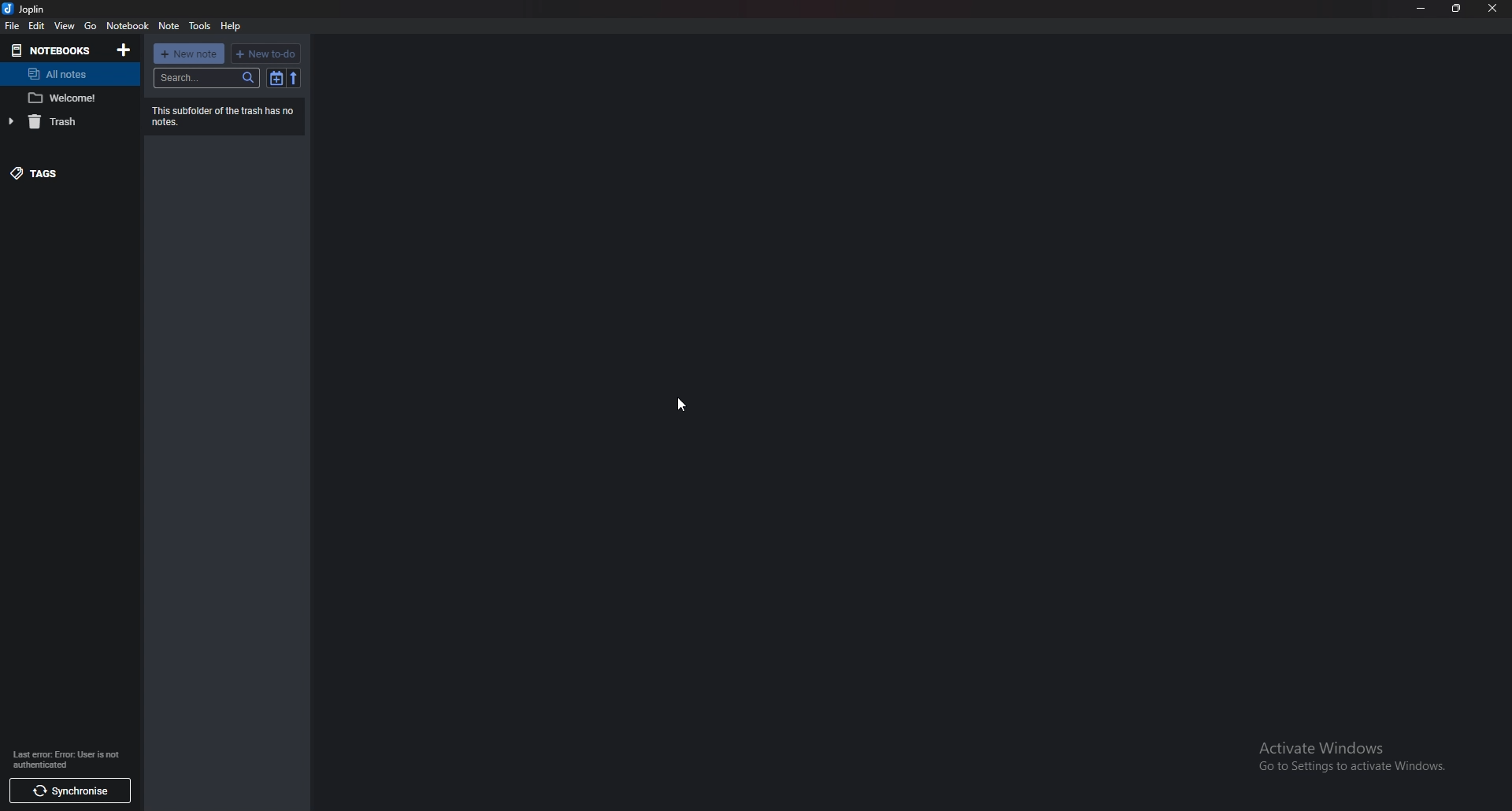  What do you see at coordinates (67, 122) in the screenshot?
I see `trash` at bounding box center [67, 122].